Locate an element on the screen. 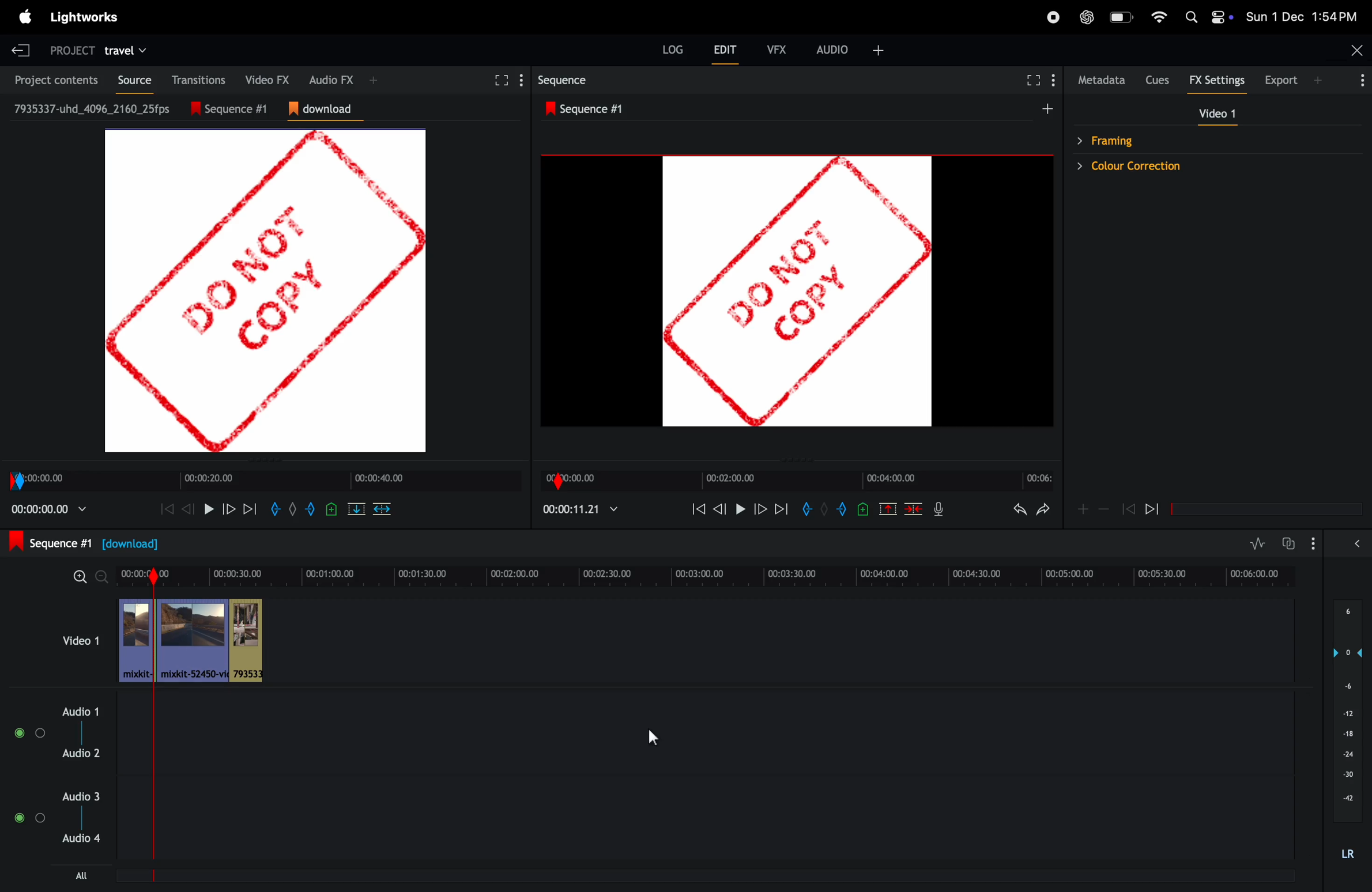 Image resolution: width=1372 pixels, height=892 pixels. vfx is located at coordinates (777, 50).